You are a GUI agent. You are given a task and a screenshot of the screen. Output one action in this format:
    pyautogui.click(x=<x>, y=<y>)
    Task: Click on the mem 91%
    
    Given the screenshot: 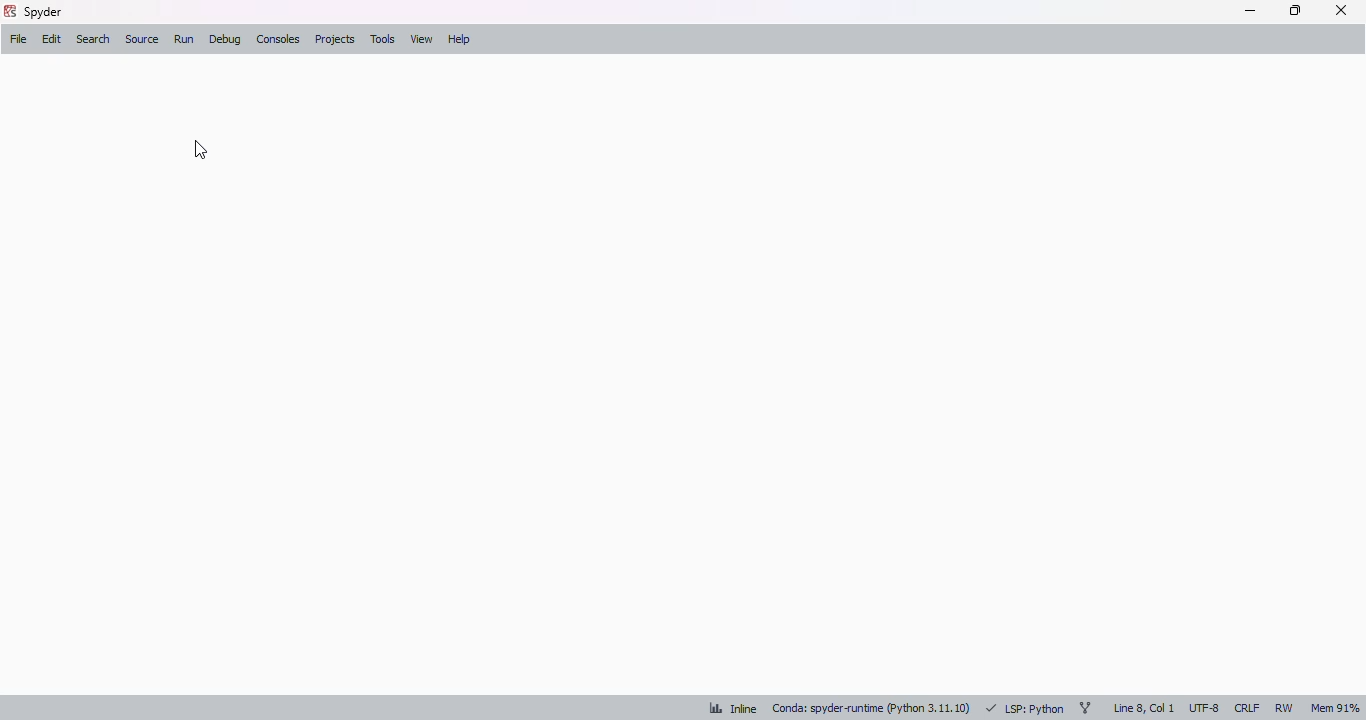 What is the action you would take?
    pyautogui.click(x=1335, y=708)
    